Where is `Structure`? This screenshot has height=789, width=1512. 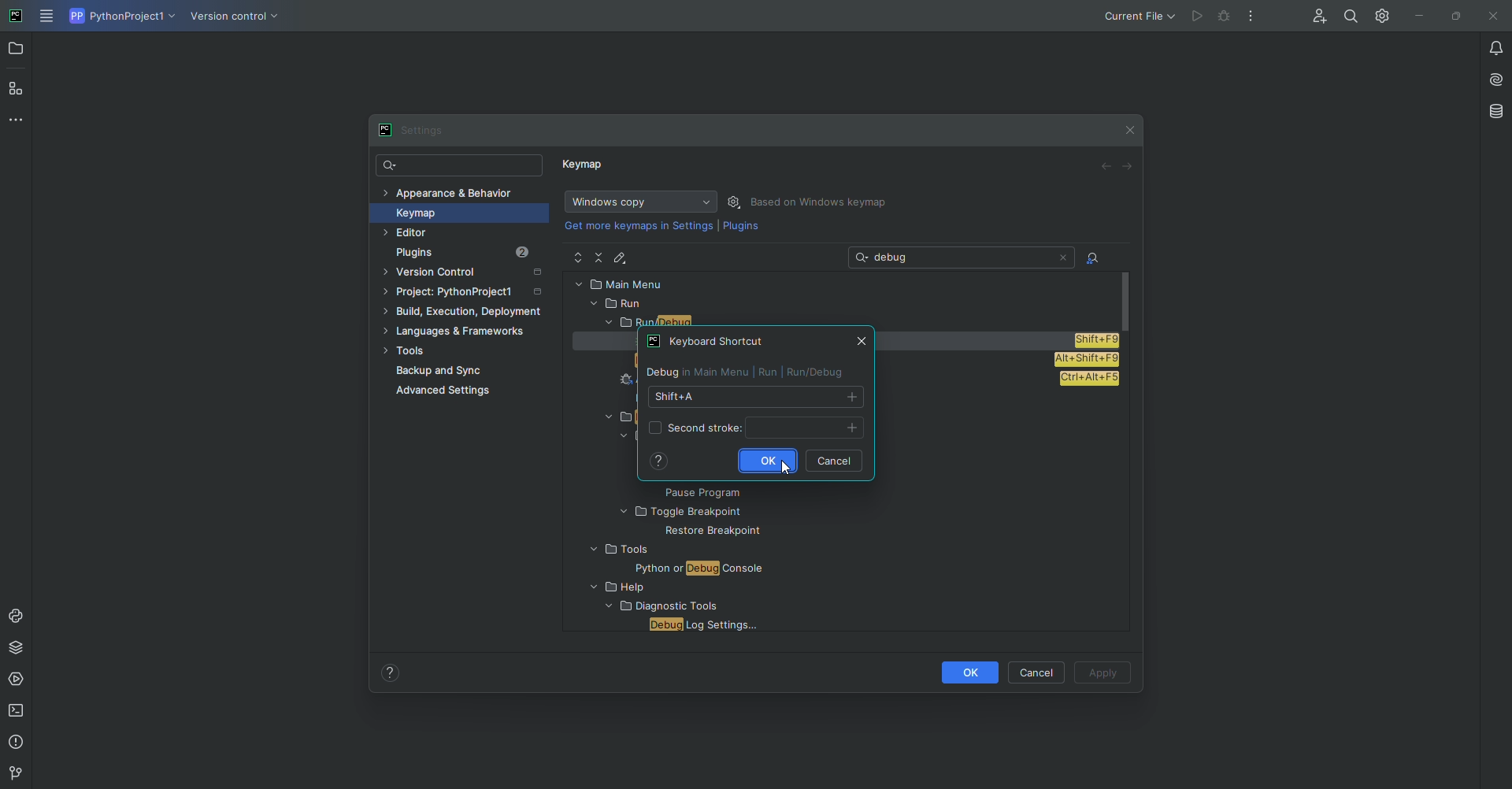 Structure is located at coordinates (17, 87).